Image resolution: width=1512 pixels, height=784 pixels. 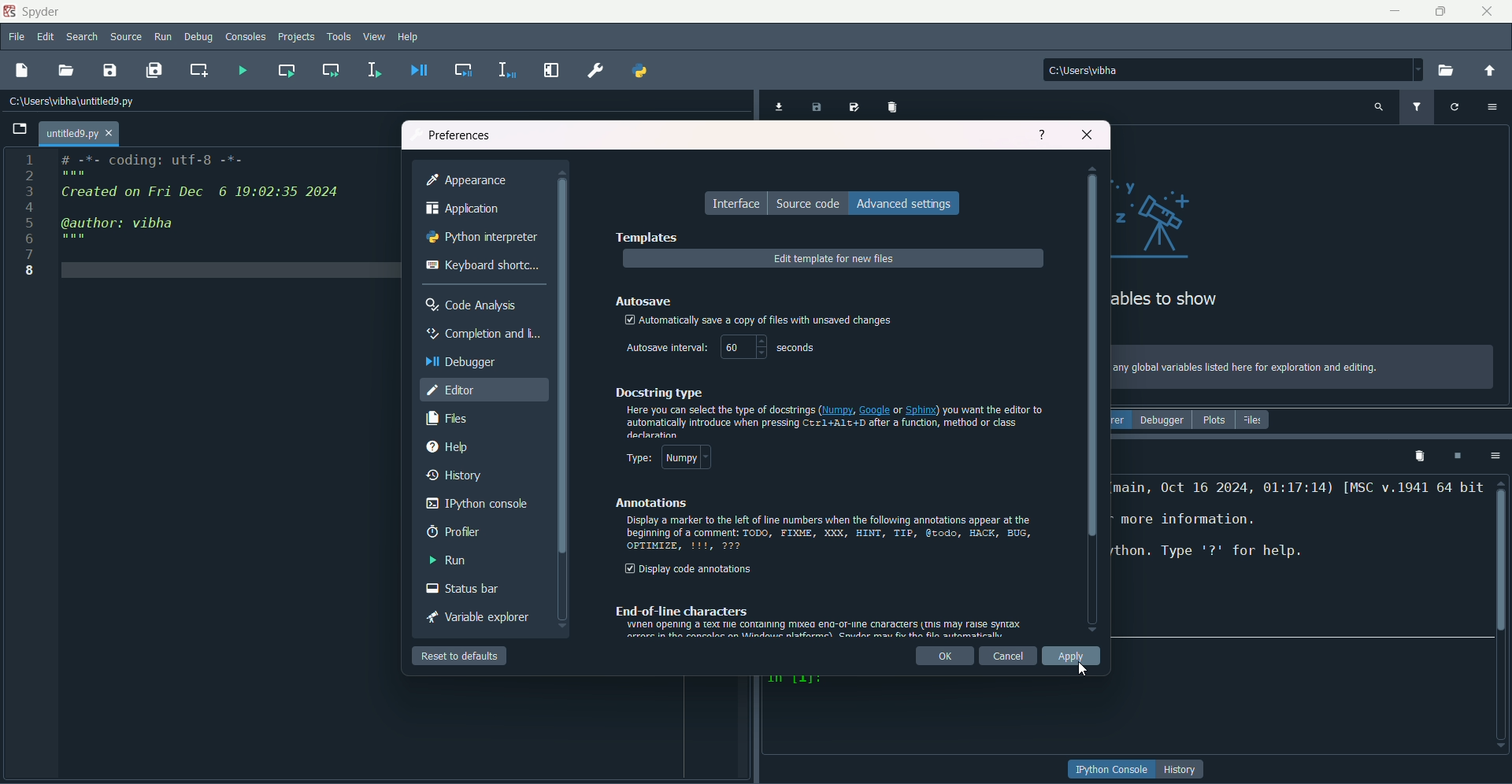 I want to click on filter variable, so click(x=1416, y=107).